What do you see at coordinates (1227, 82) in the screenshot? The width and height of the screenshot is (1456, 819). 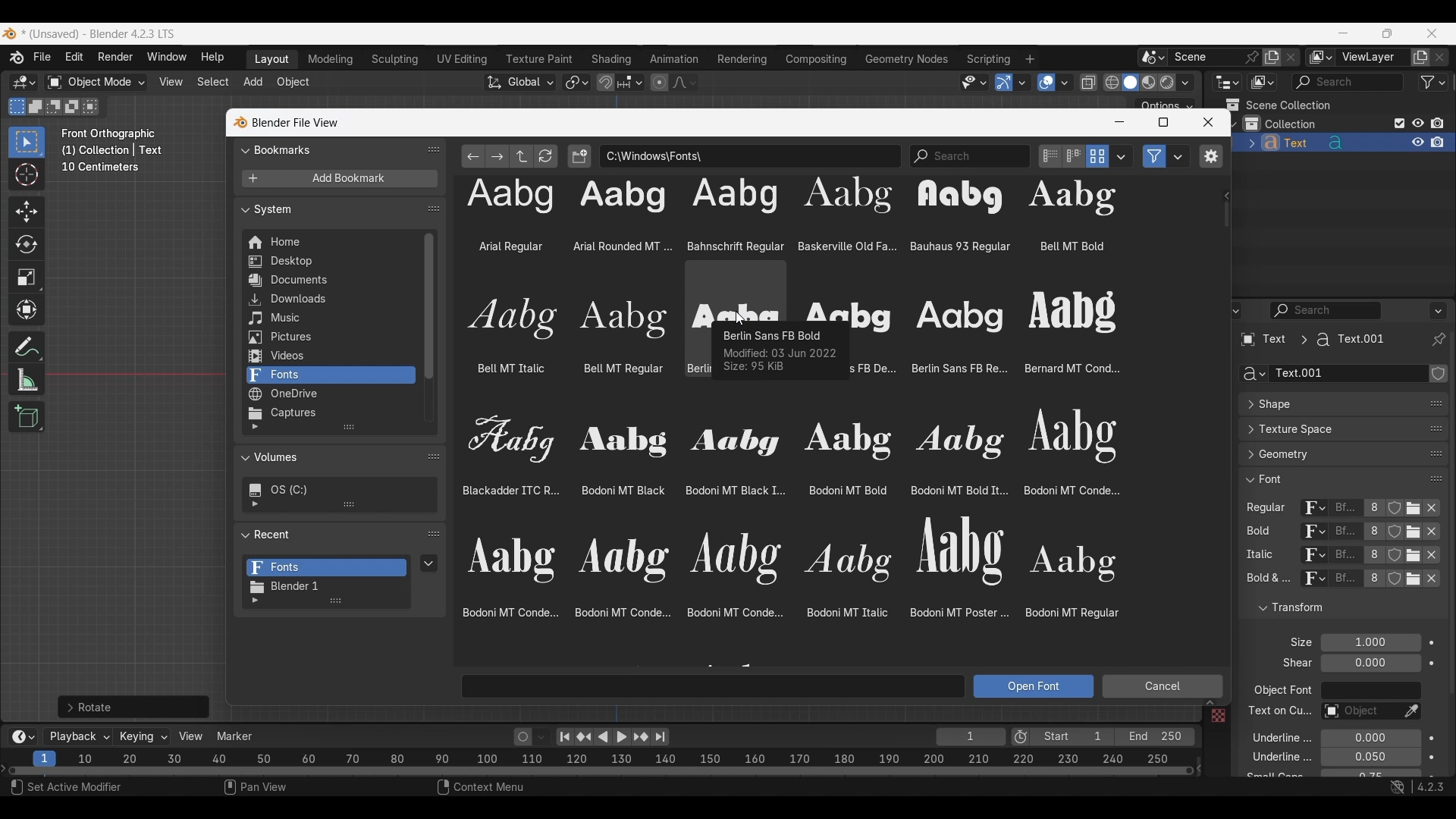 I see `Editor type` at bounding box center [1227, 82].